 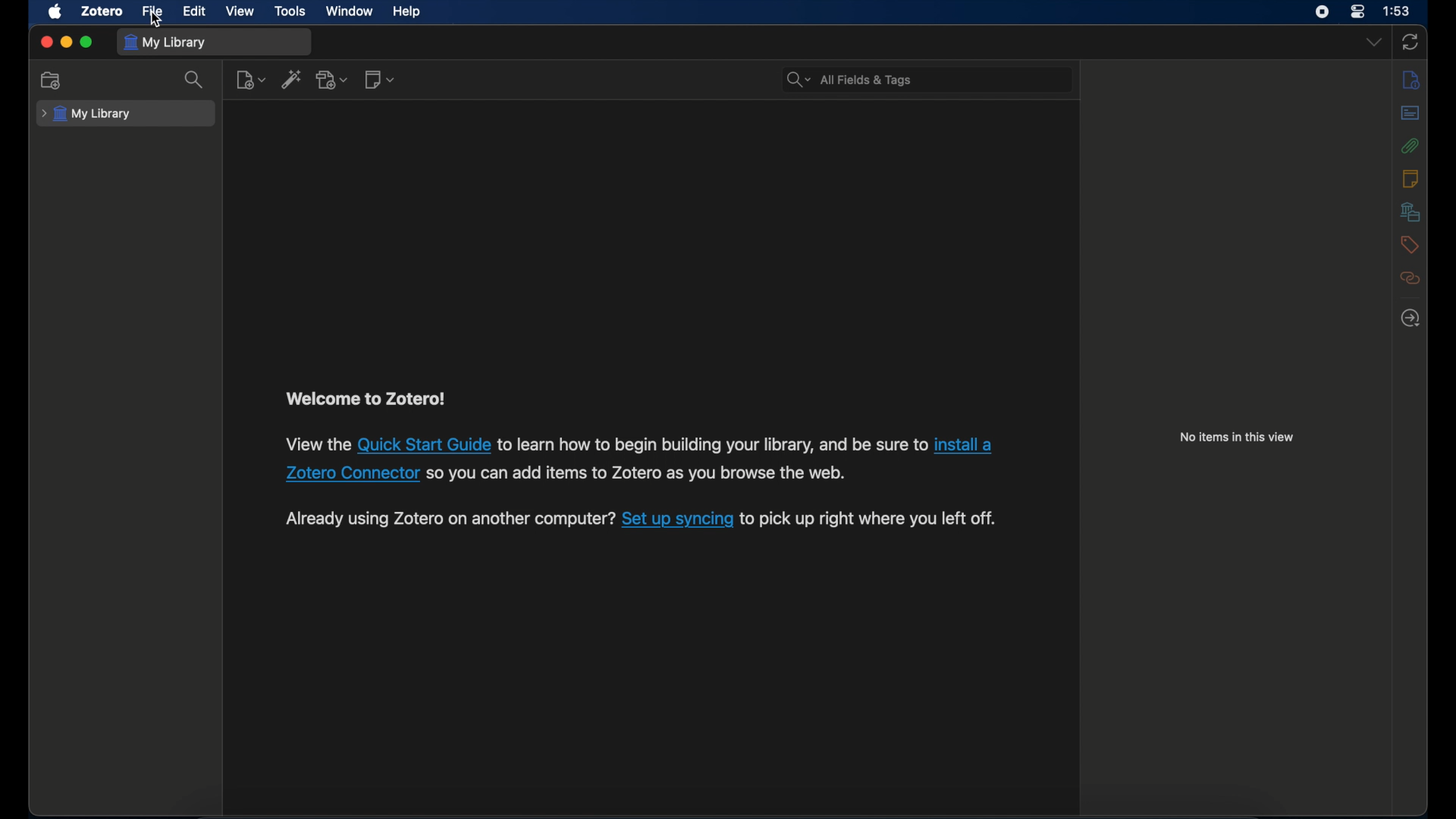 I want to click on view, so click(x=241, y=11).